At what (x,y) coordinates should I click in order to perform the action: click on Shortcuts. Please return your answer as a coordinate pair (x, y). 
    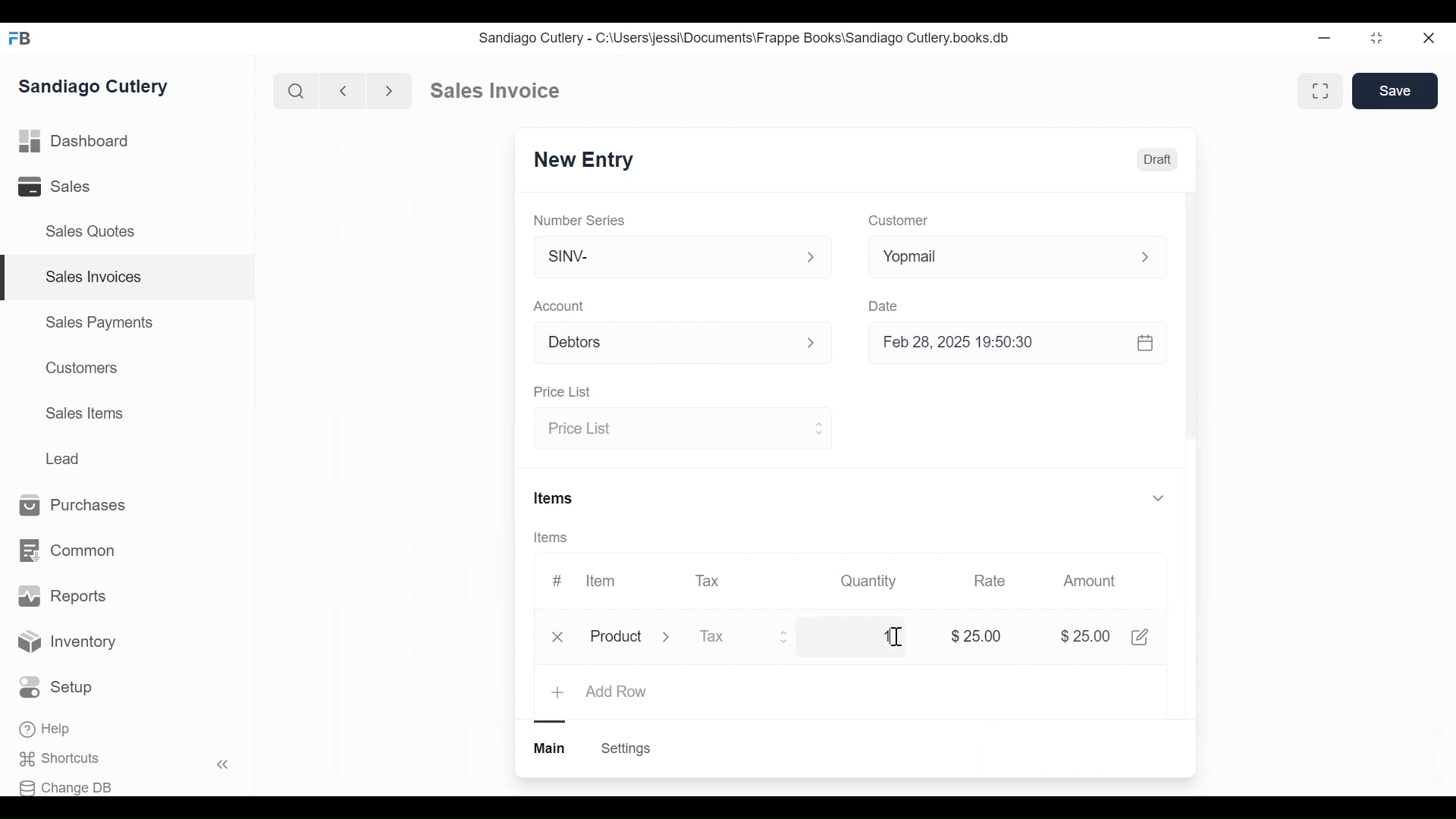
    Looking at the image, I should click on (65, 759).